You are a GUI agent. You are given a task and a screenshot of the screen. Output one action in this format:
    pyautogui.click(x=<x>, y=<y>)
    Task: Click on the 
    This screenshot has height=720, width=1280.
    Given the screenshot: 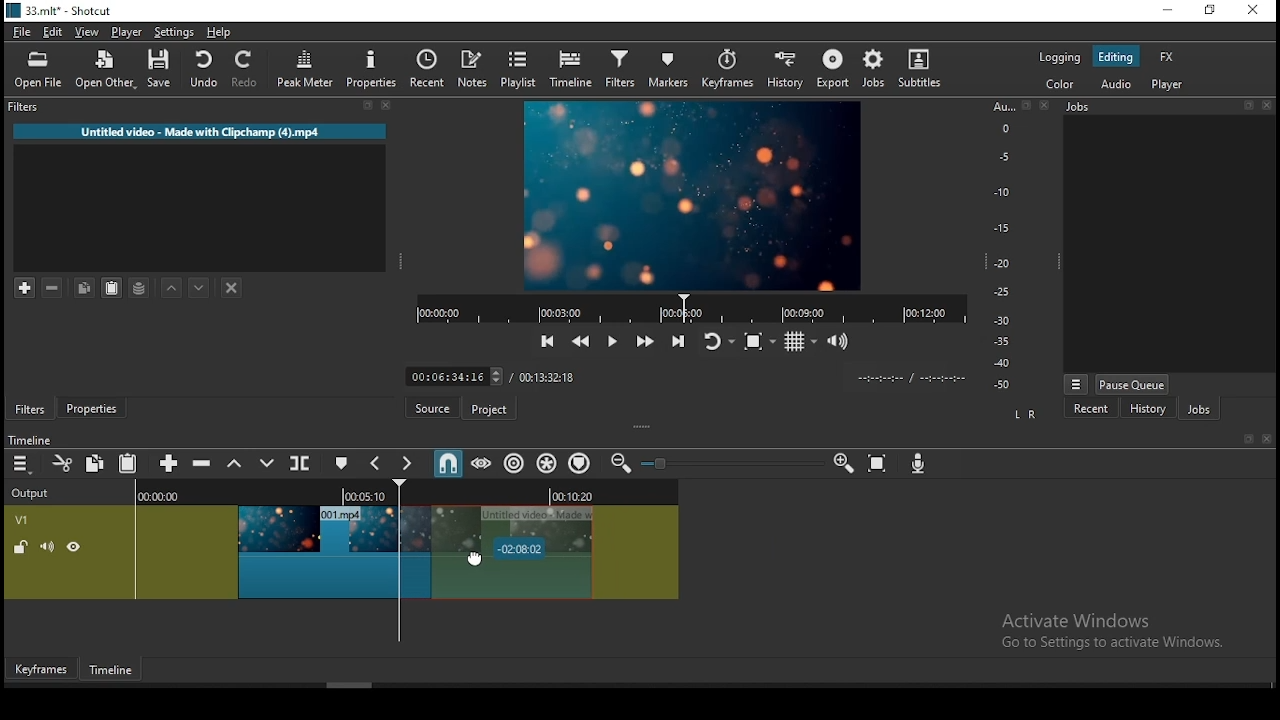 What is the action you would take?
    pyautogui.click(x=1247, y=440)
    